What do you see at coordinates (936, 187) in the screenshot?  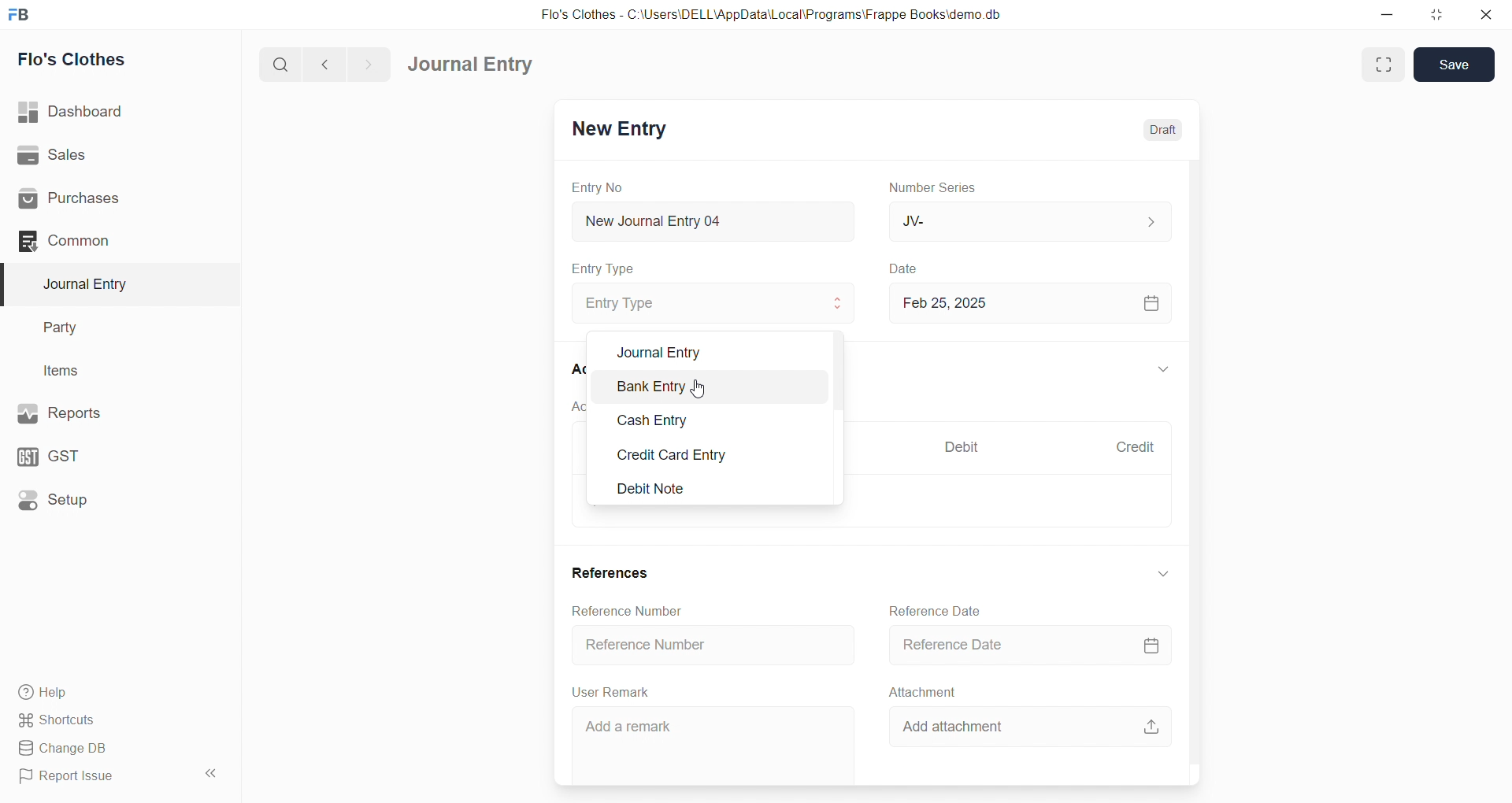 I see `Number Series` at bounding box center [936, 187].